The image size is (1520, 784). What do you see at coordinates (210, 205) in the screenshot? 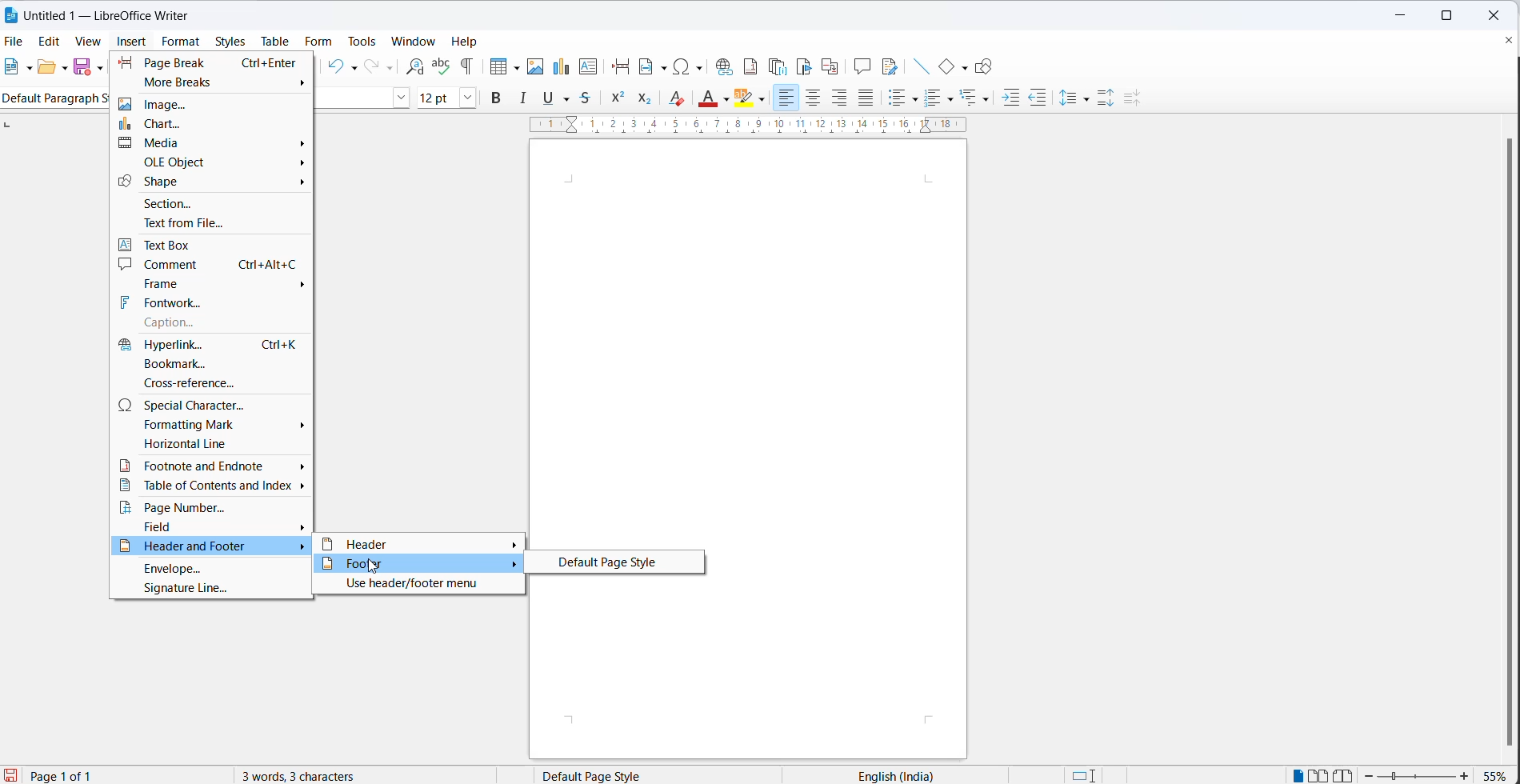
I see `section` at bounding box center [210, 205].